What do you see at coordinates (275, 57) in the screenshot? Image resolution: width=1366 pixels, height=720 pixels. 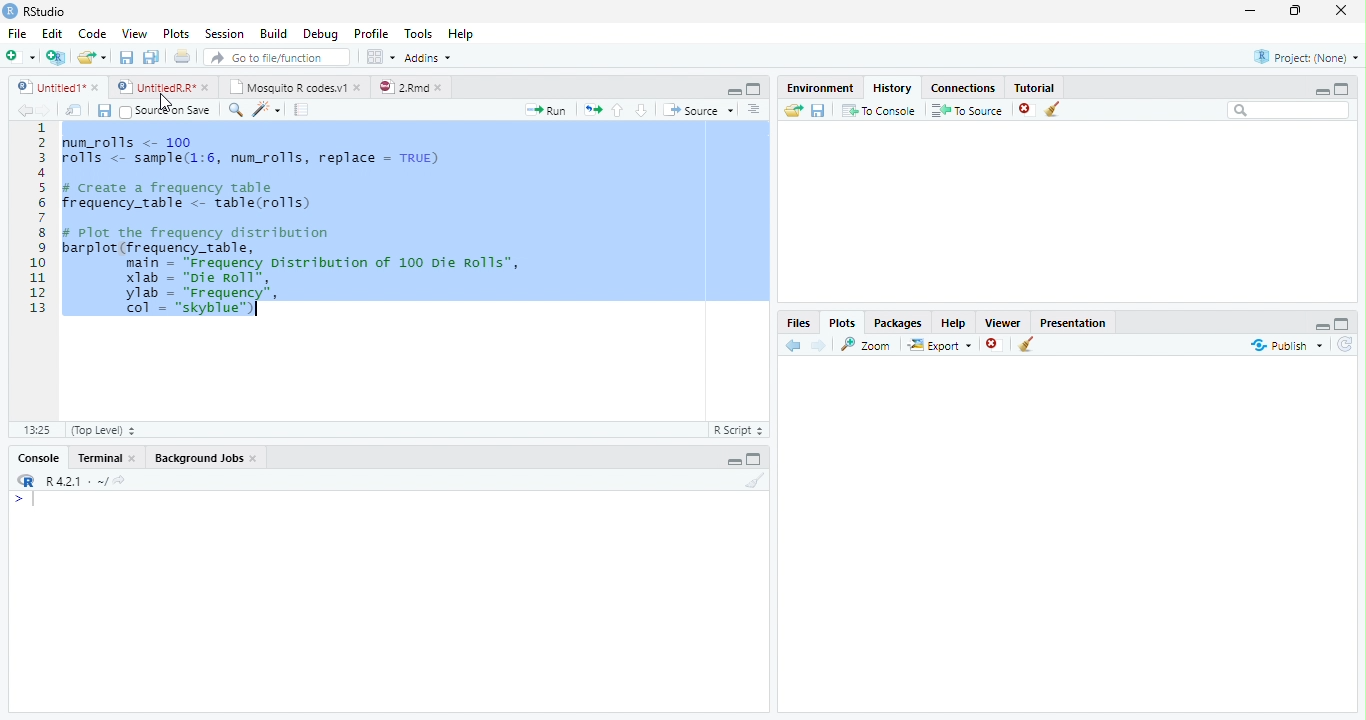 I see `Go to file/function` at bounding box center [275, 57].